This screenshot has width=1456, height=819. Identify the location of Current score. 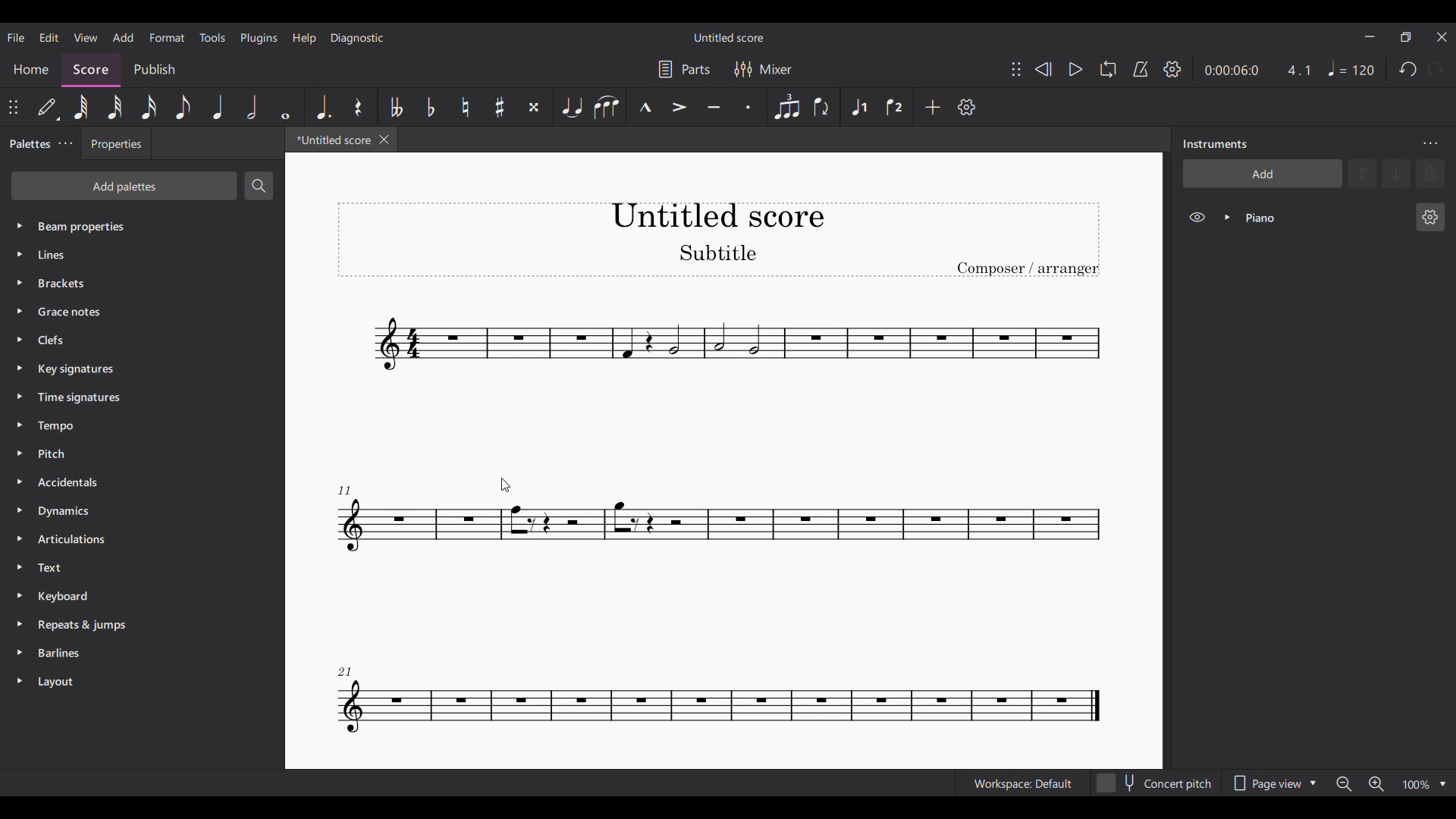
(329, 143).